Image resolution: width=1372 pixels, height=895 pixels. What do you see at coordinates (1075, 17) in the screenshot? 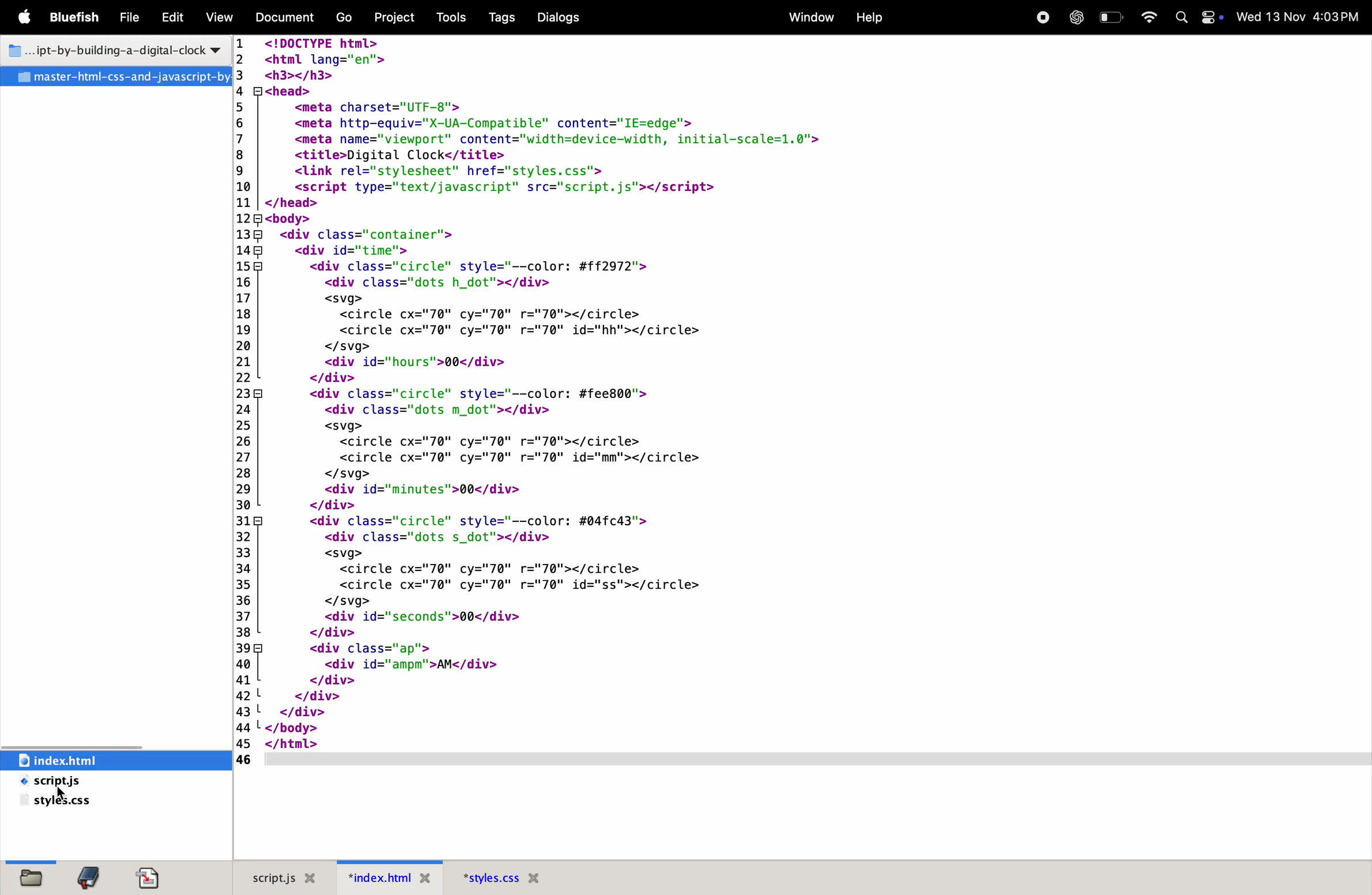
I see `chatgpt` at bounding box center [1075, 17].